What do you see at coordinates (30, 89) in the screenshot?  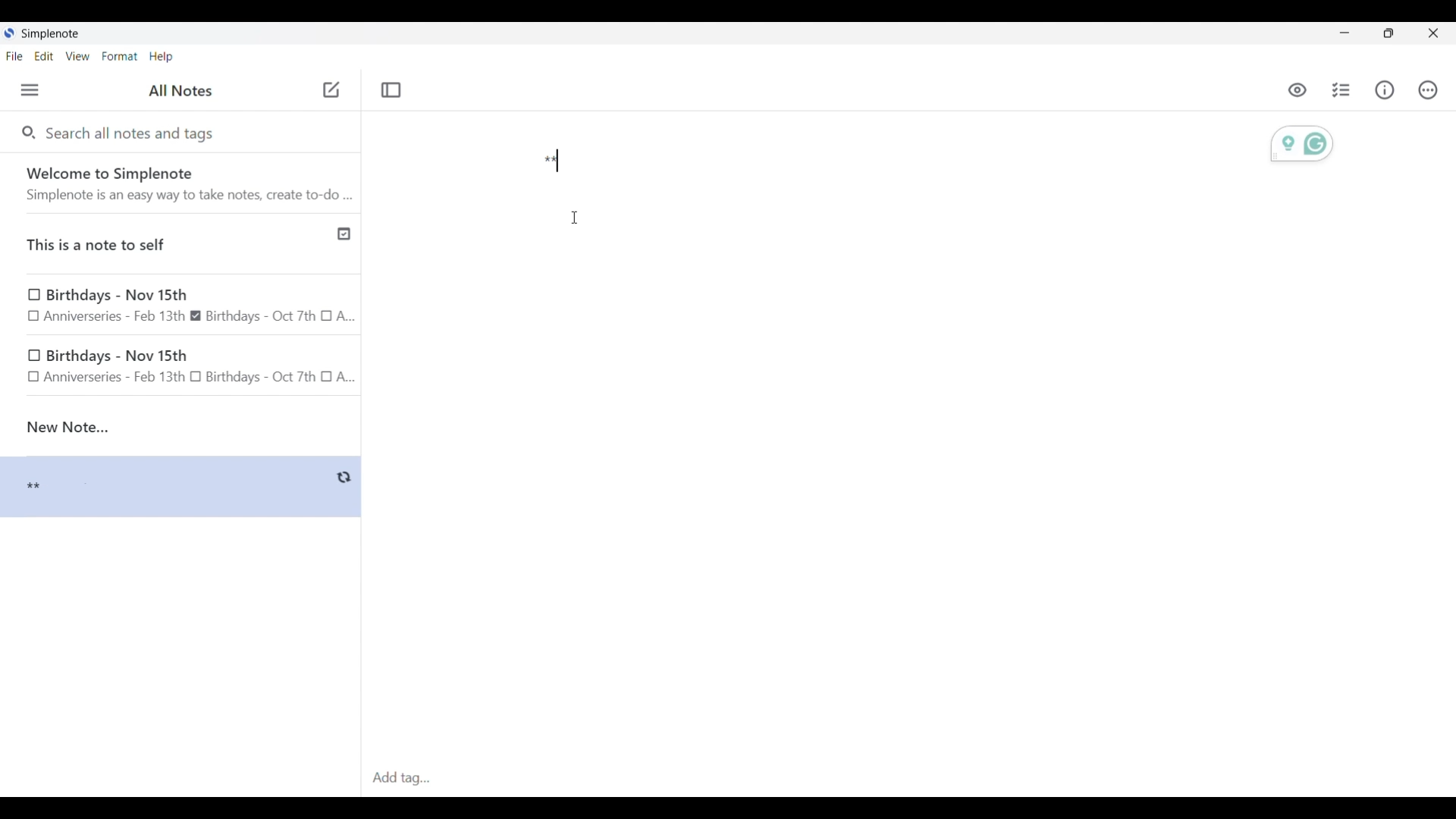 I see `Menu` at bounding box center [30, 89].